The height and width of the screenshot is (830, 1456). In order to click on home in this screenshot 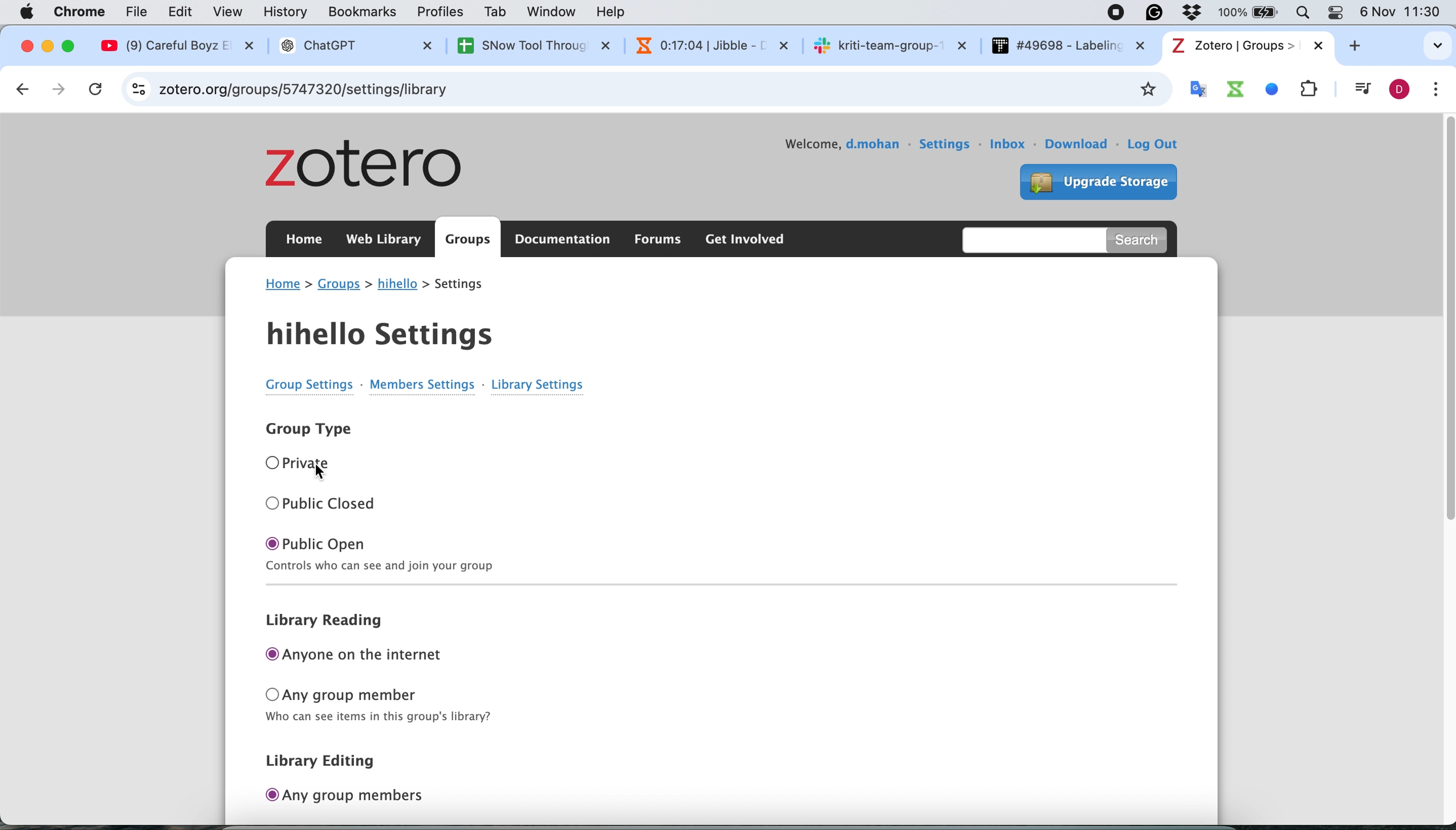, I will do `click(303, 242)`.